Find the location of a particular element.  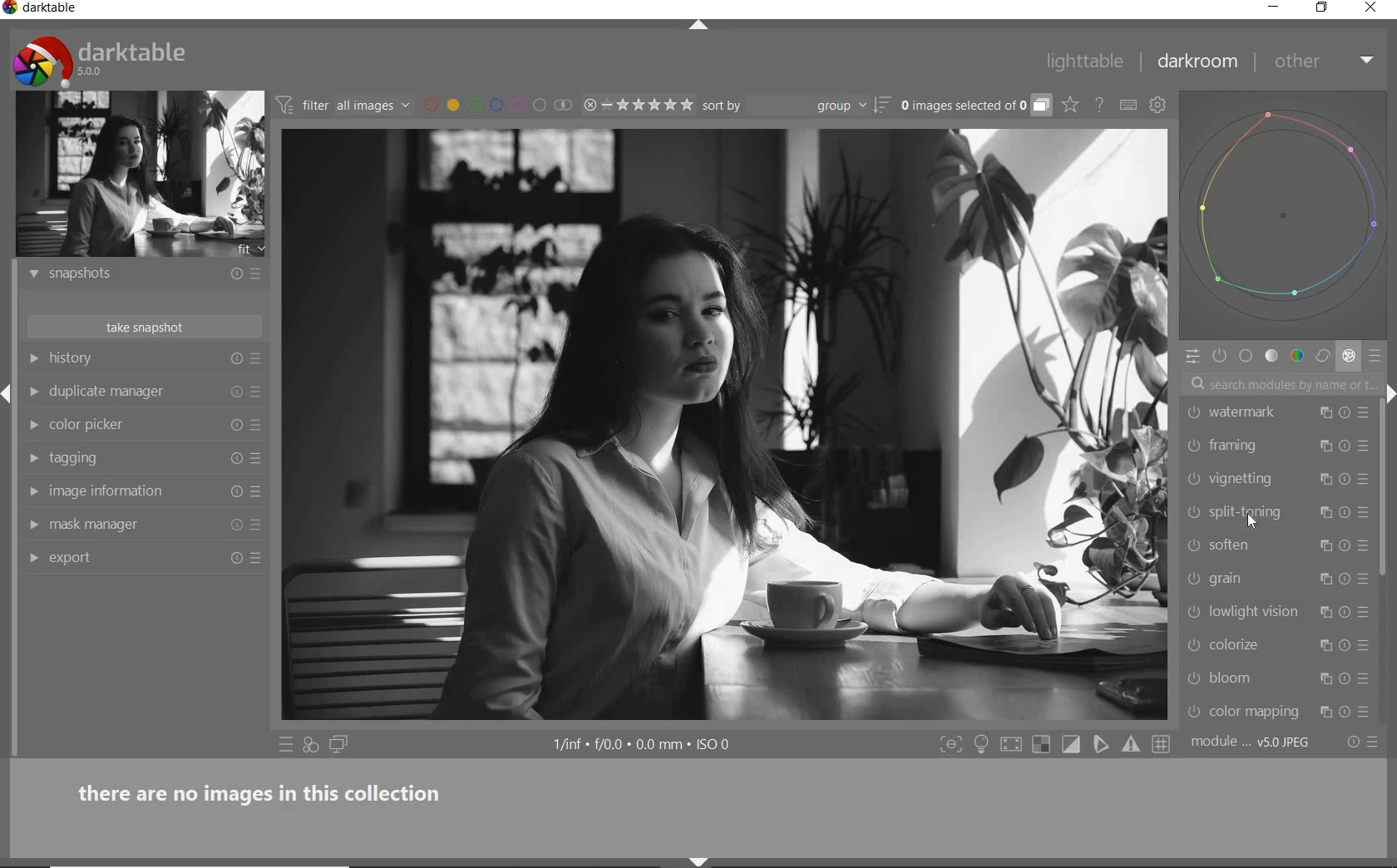

Cursor is located at coordinates (1252, 520).